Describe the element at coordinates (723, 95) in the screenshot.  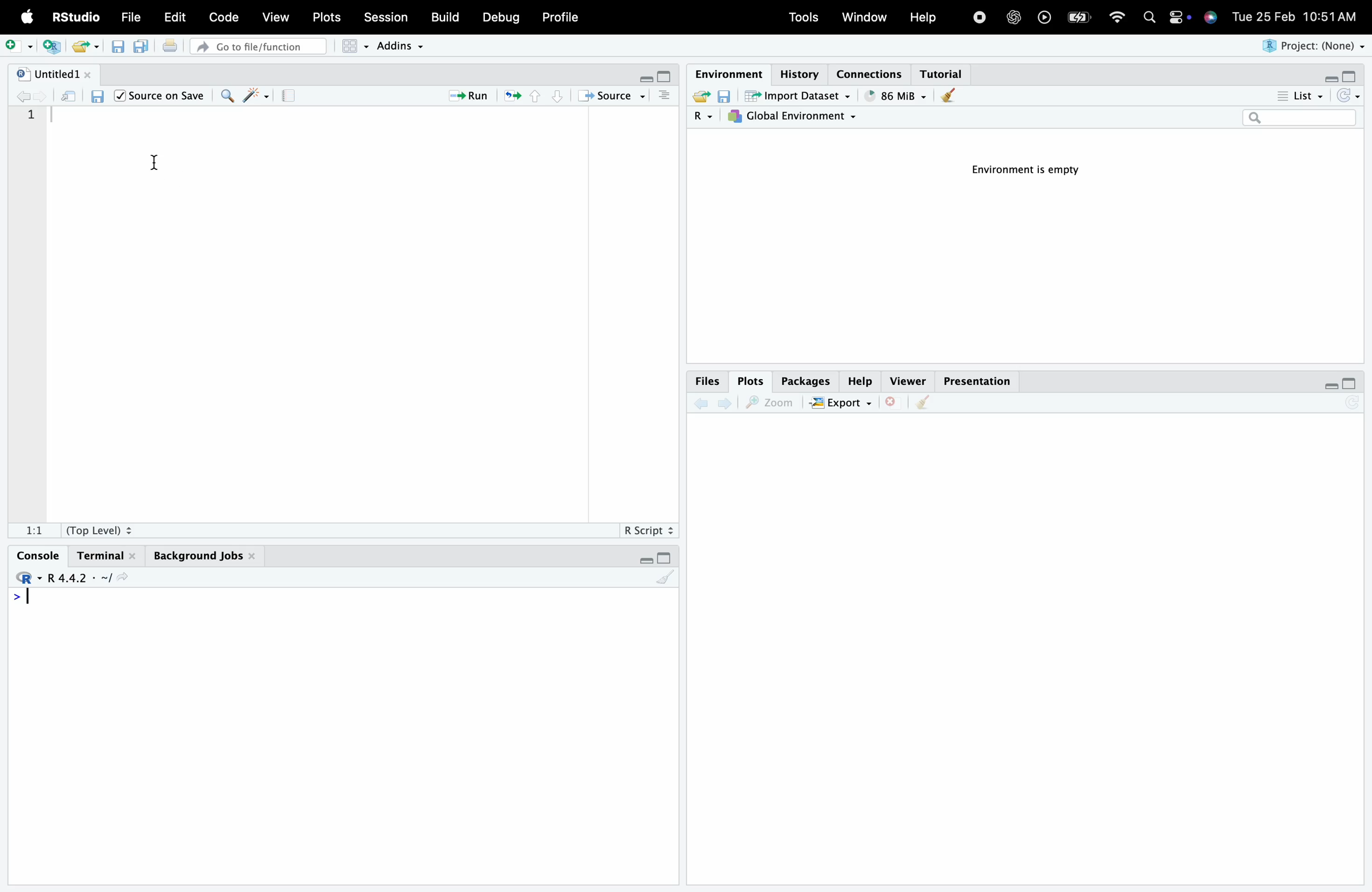
I see `save environment variables` at that location.